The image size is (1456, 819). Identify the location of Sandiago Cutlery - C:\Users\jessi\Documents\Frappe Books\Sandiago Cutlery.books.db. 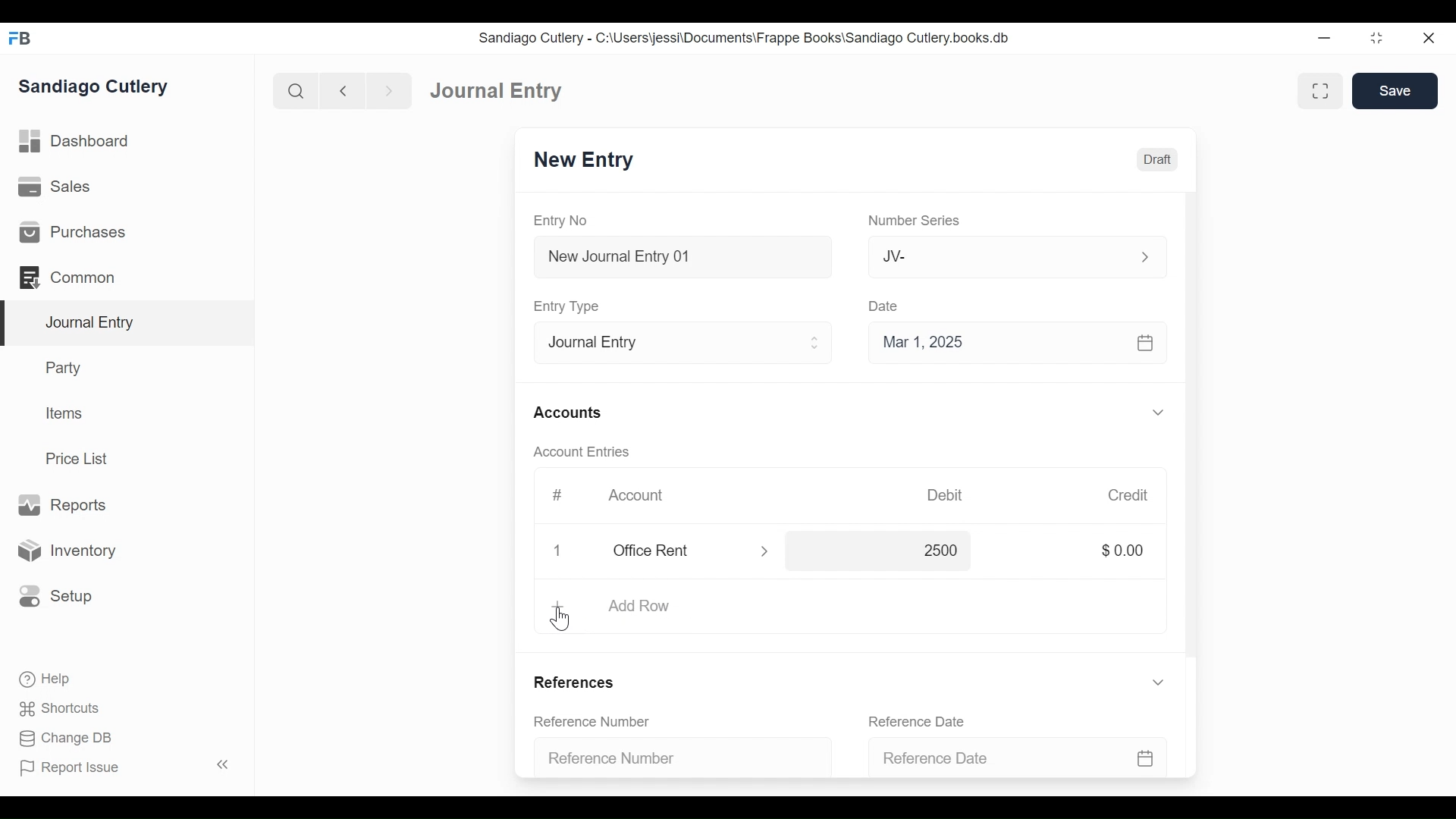
(748, 37).